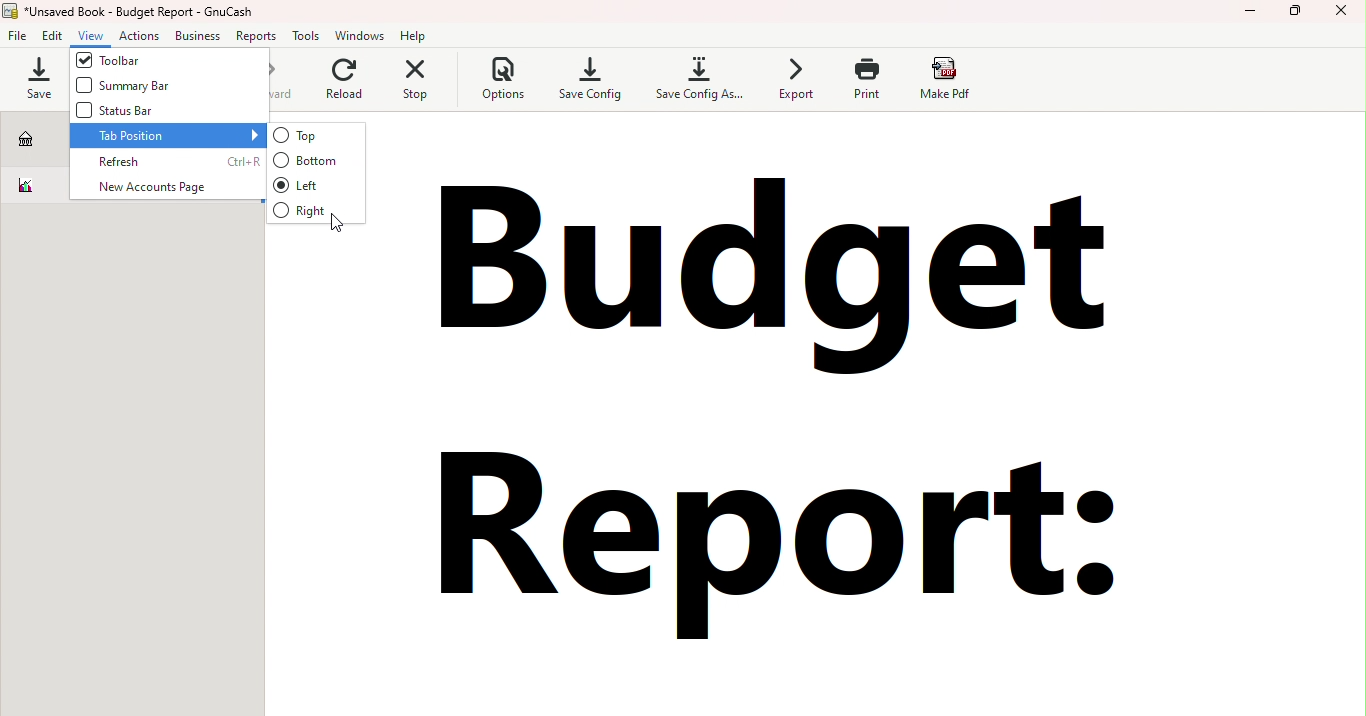 The width and height of the screenshot is (1366, 716). What do you see at coordinates (416, 35) in the screenshot?
I see `Help` at bounding box center [416, 35].